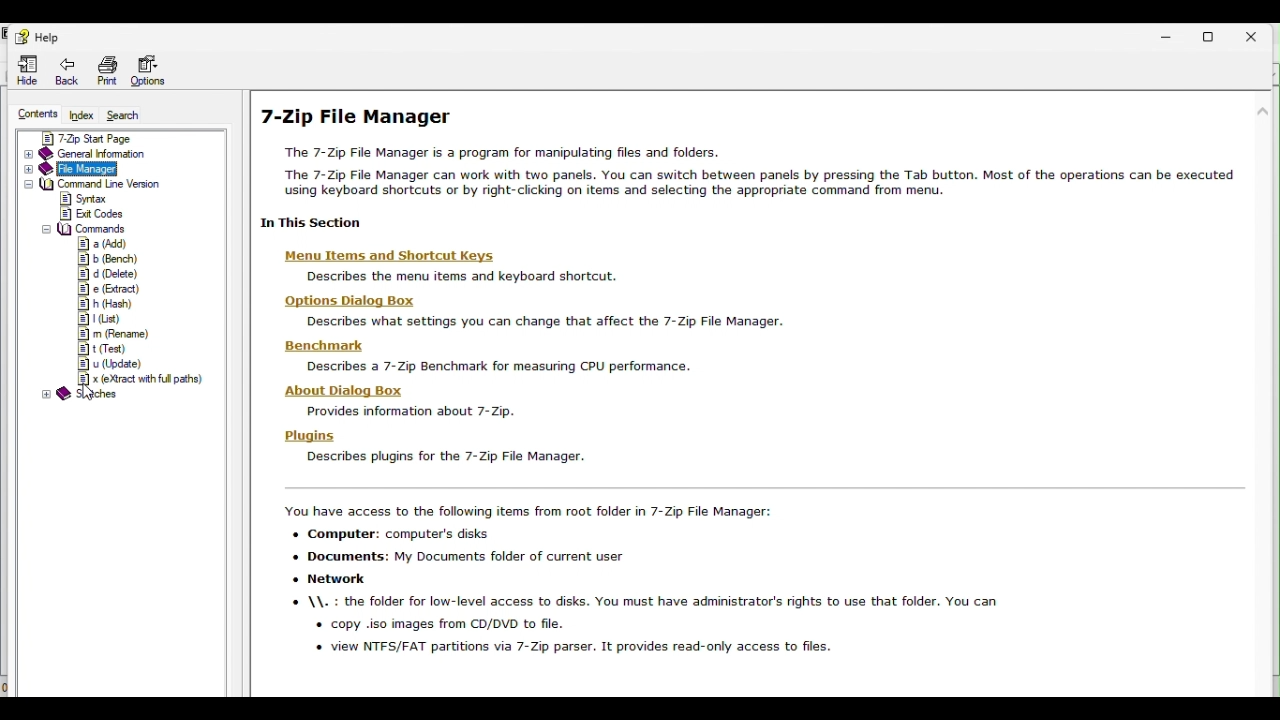  Describe the element at coordinates (95, 395) in the screenshot. I see `sketches` at that location.